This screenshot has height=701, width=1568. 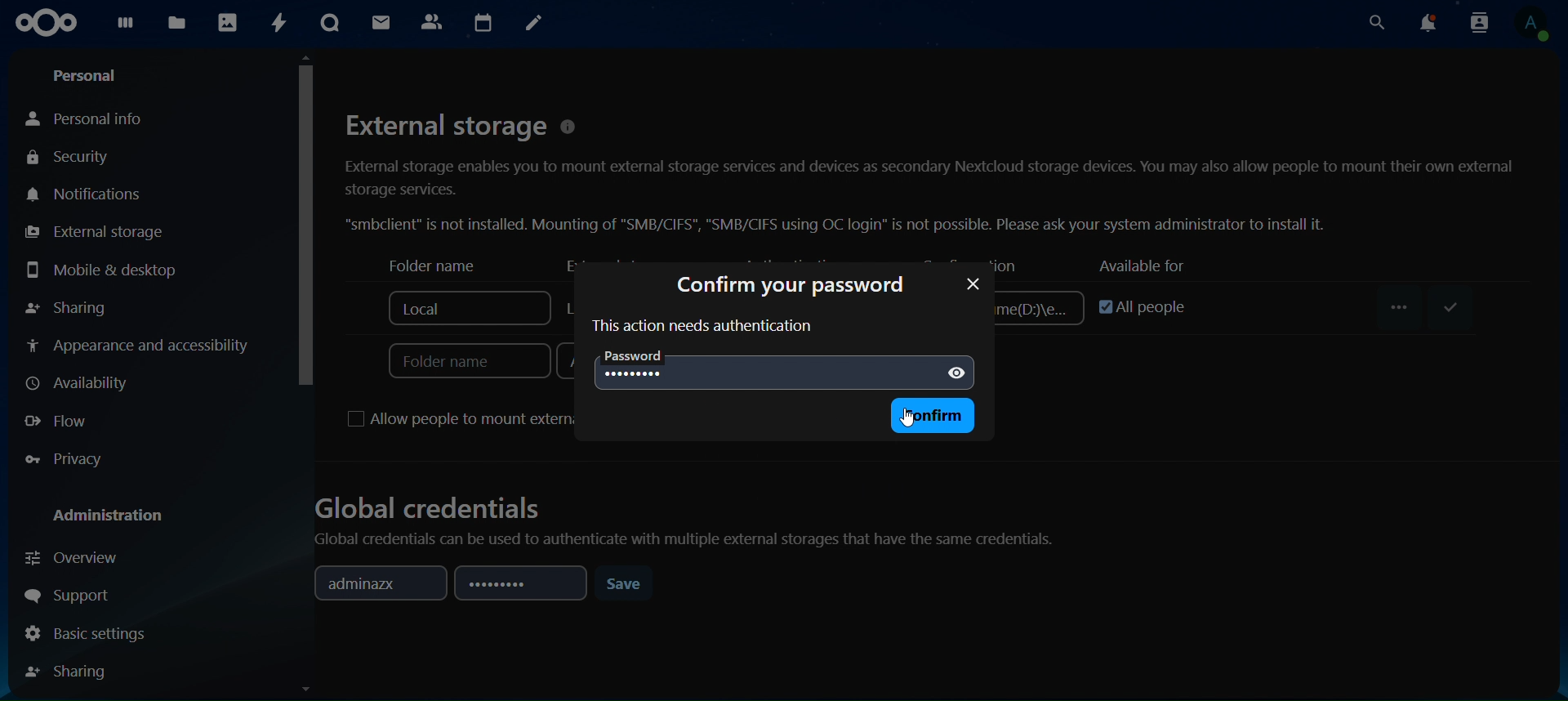 I want to click on calendar, so click(x=484, y=21).